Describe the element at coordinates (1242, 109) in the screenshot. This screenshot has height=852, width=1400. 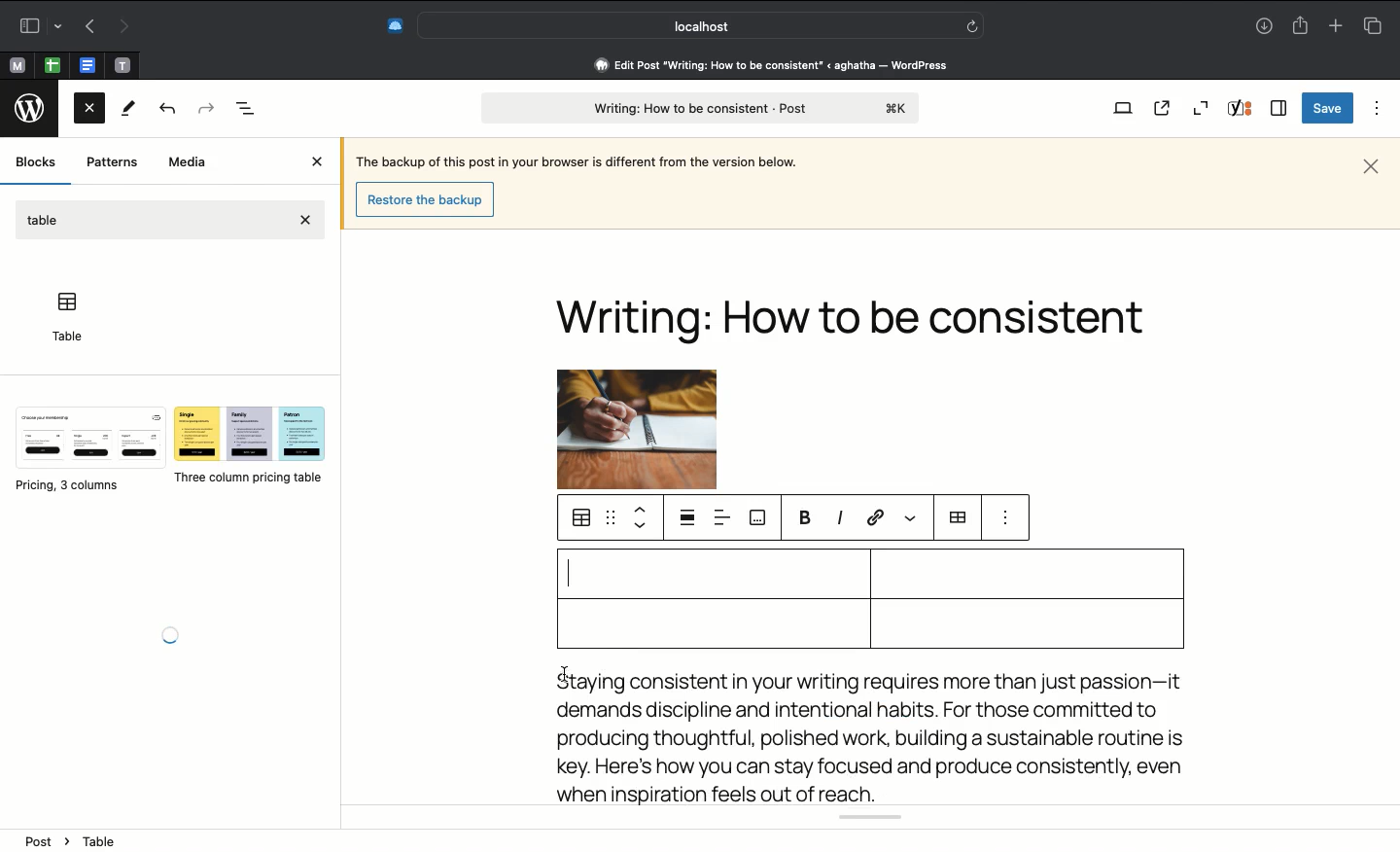
I see `Yoast` at that location.